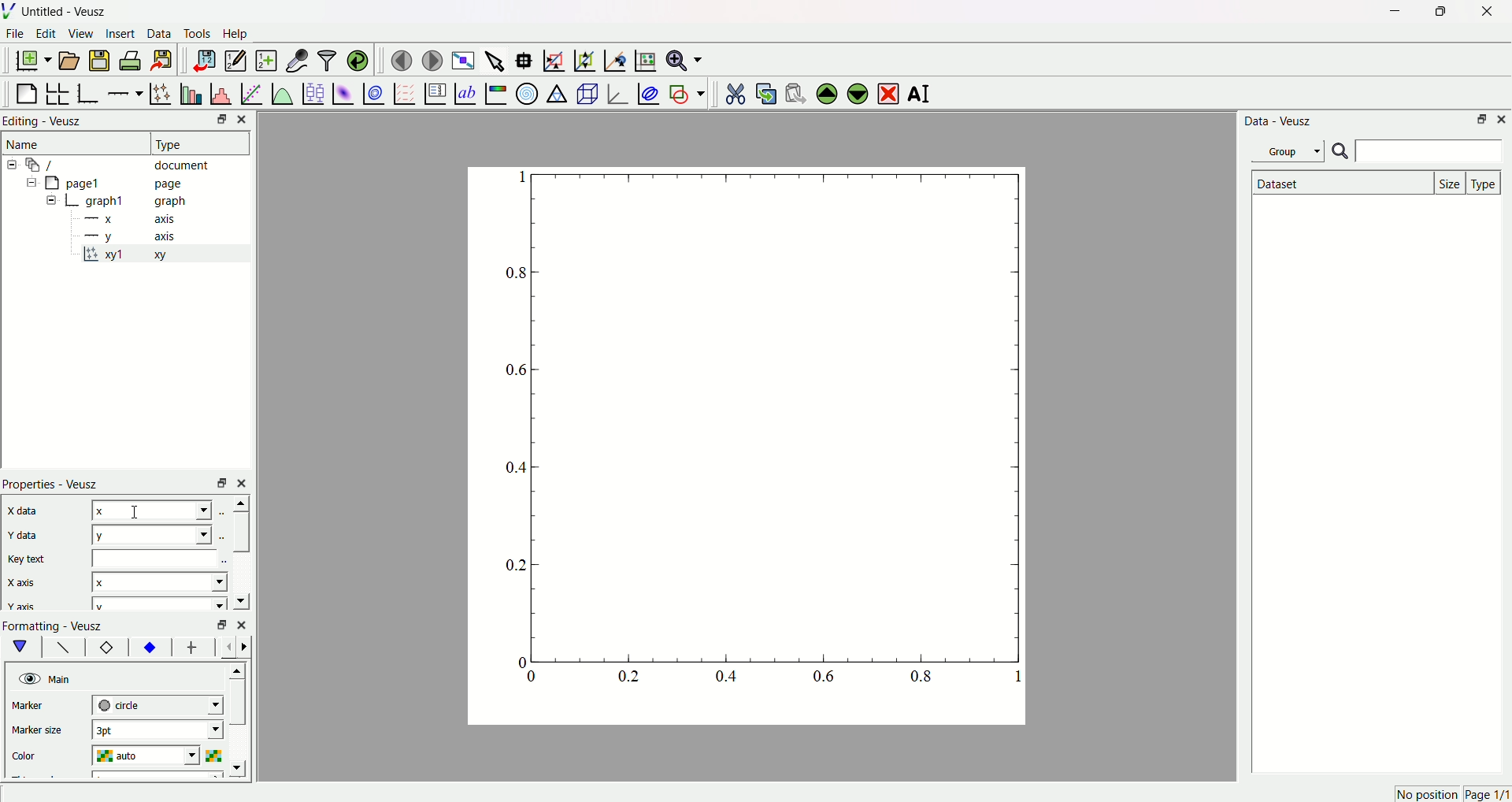  Describe the element at coordinates (239, 503) in the screenshot. I see `move up` at that location.